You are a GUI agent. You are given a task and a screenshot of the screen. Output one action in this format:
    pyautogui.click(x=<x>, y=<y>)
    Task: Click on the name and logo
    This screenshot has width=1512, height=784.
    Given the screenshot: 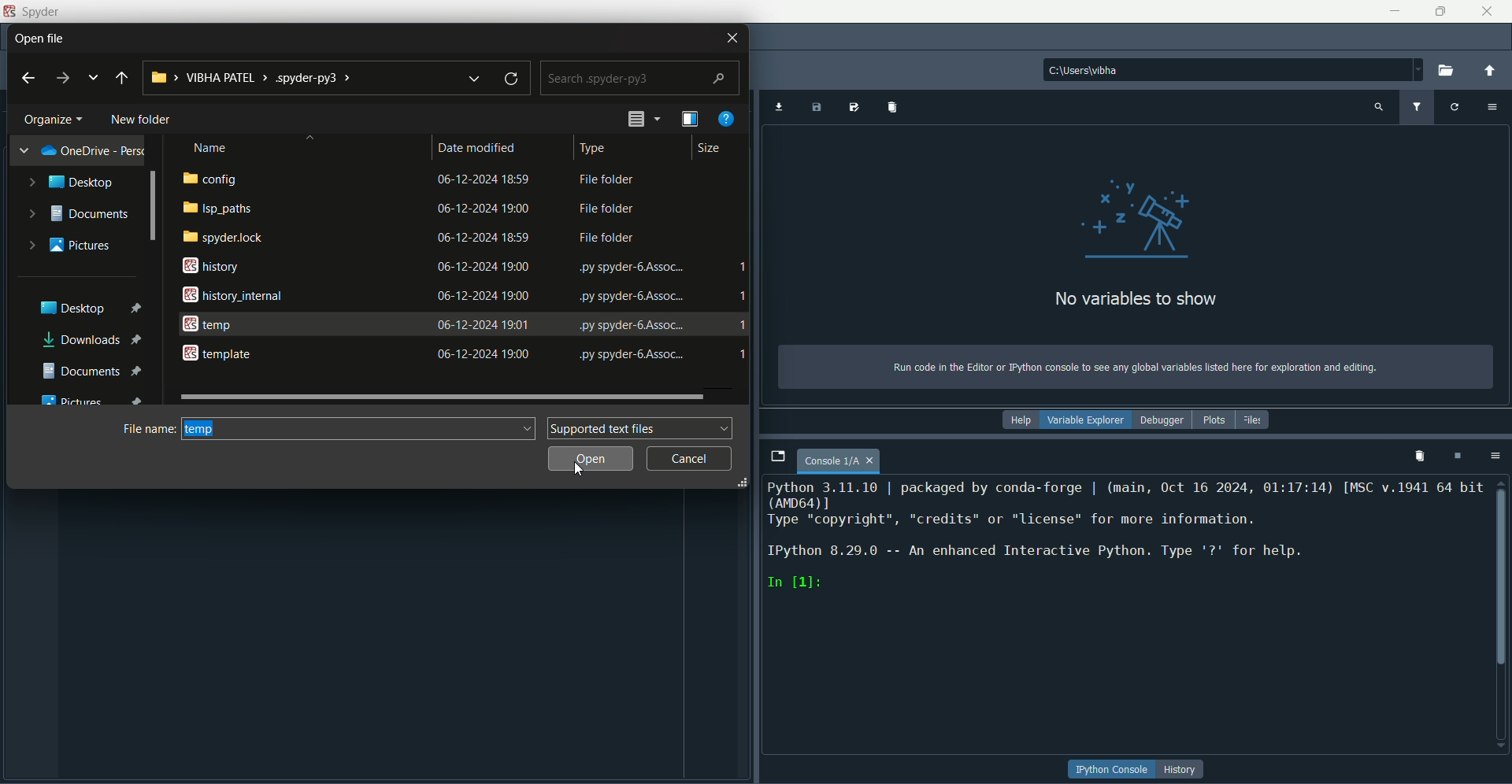 What is the action you would take?
    pyautogui.click(x=32, y=12)
    